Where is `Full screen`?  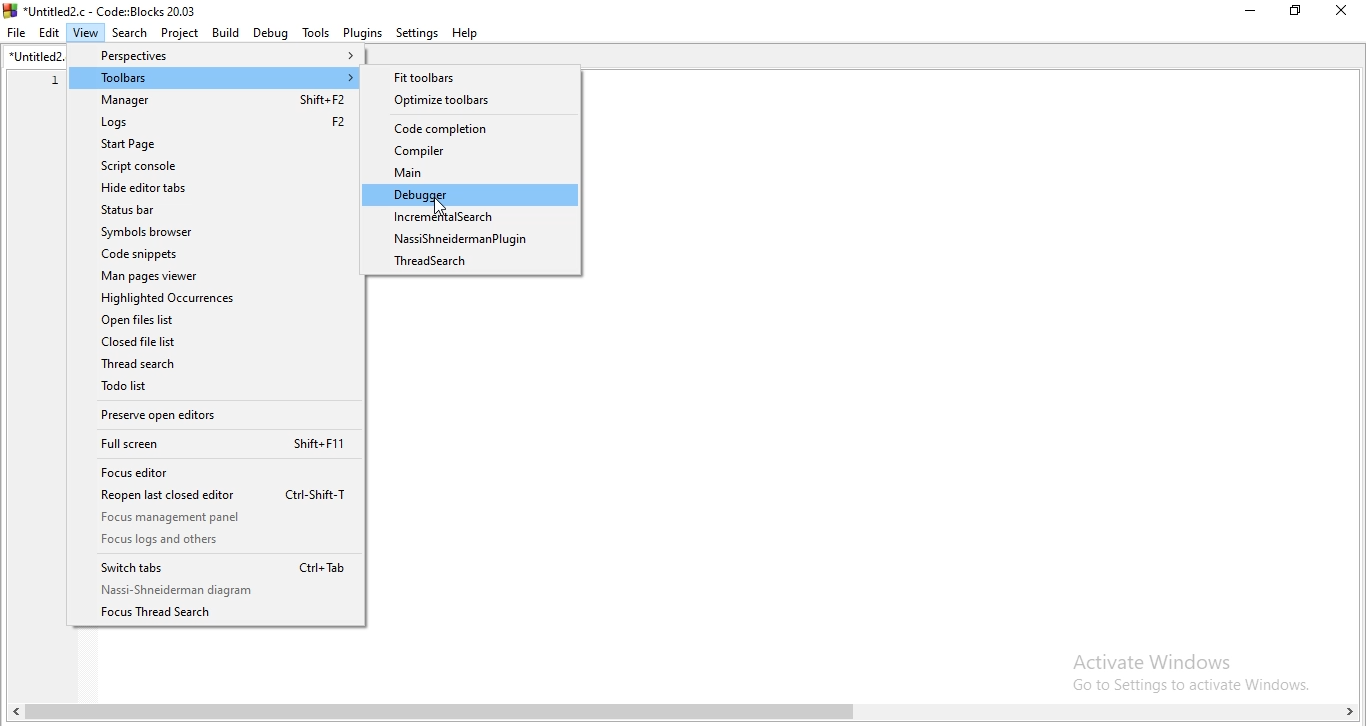 Full screen is located at coordinates (218, 444).